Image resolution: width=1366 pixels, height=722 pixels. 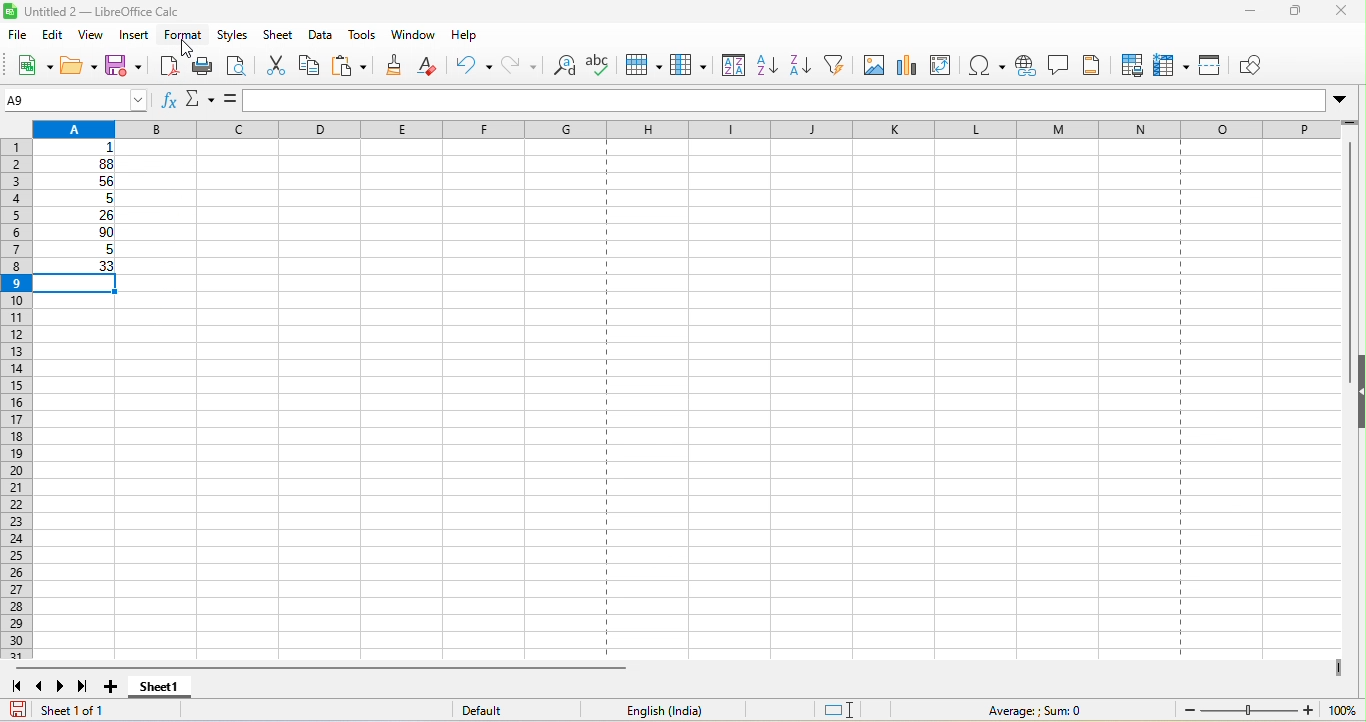 I want to click on defined print area, so click(x=1130, y=65).